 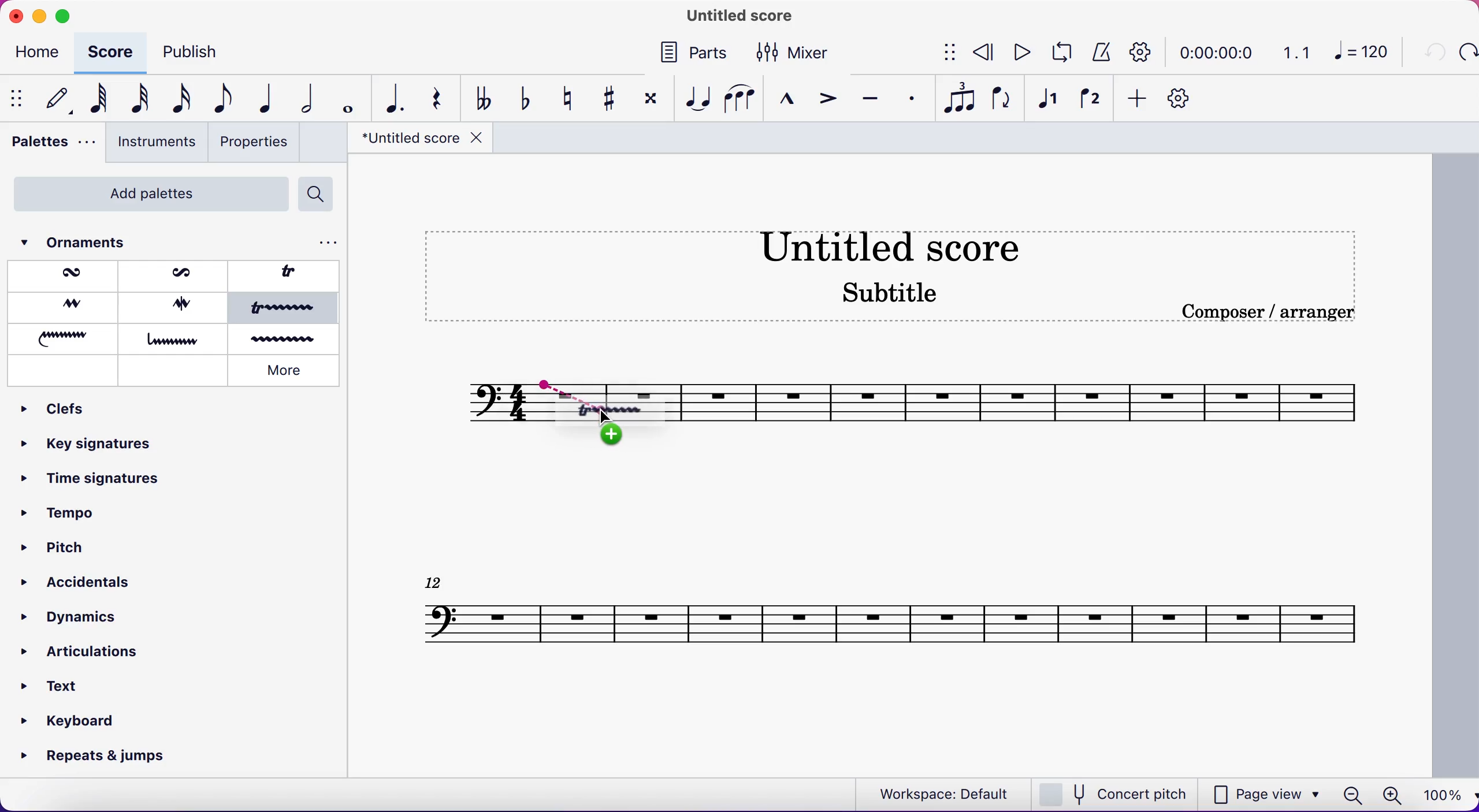 I want to click on close, so click(x=15, y=15).